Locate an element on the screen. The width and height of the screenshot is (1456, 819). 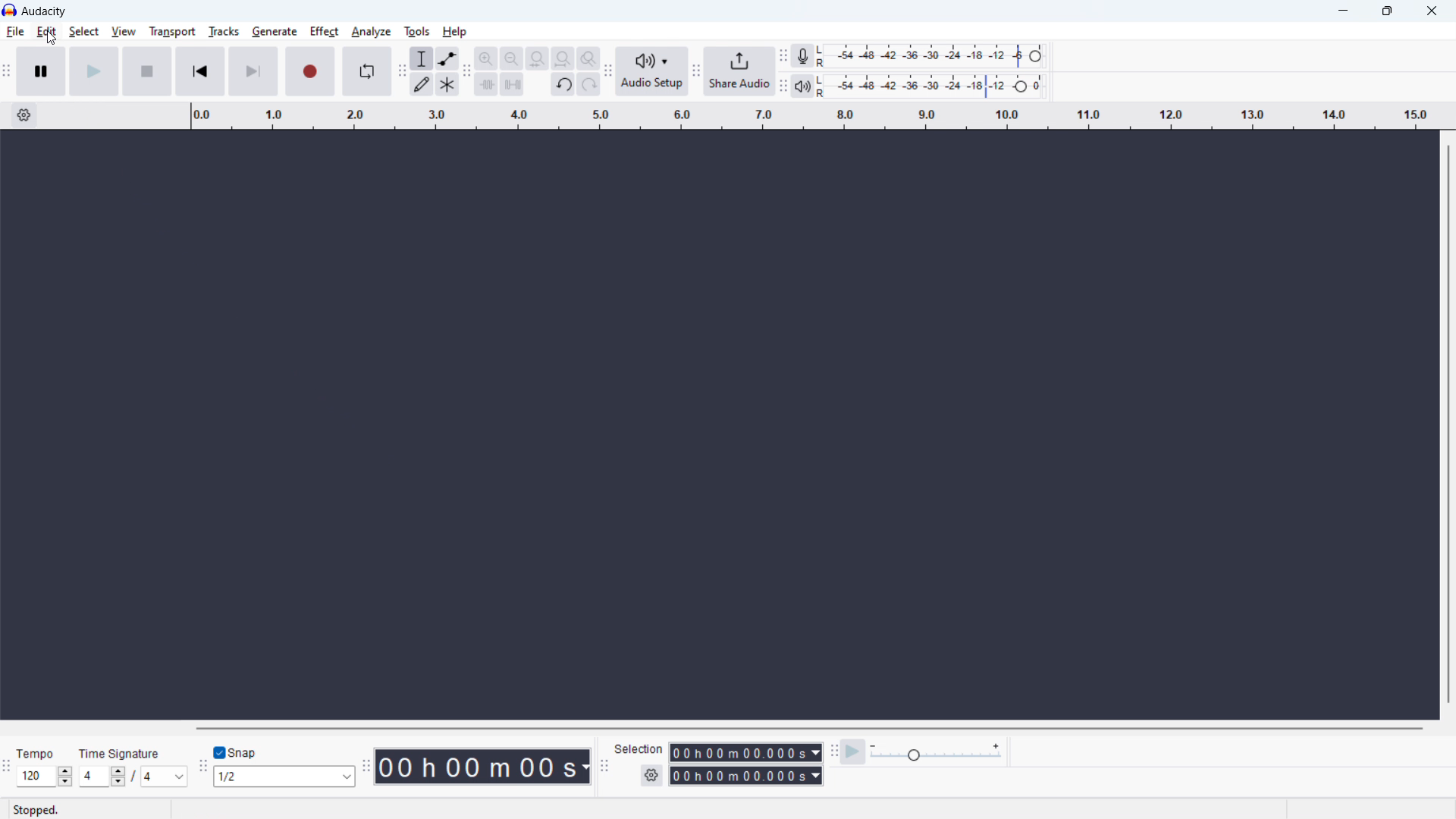
close is located at coordinates (1430, 12).